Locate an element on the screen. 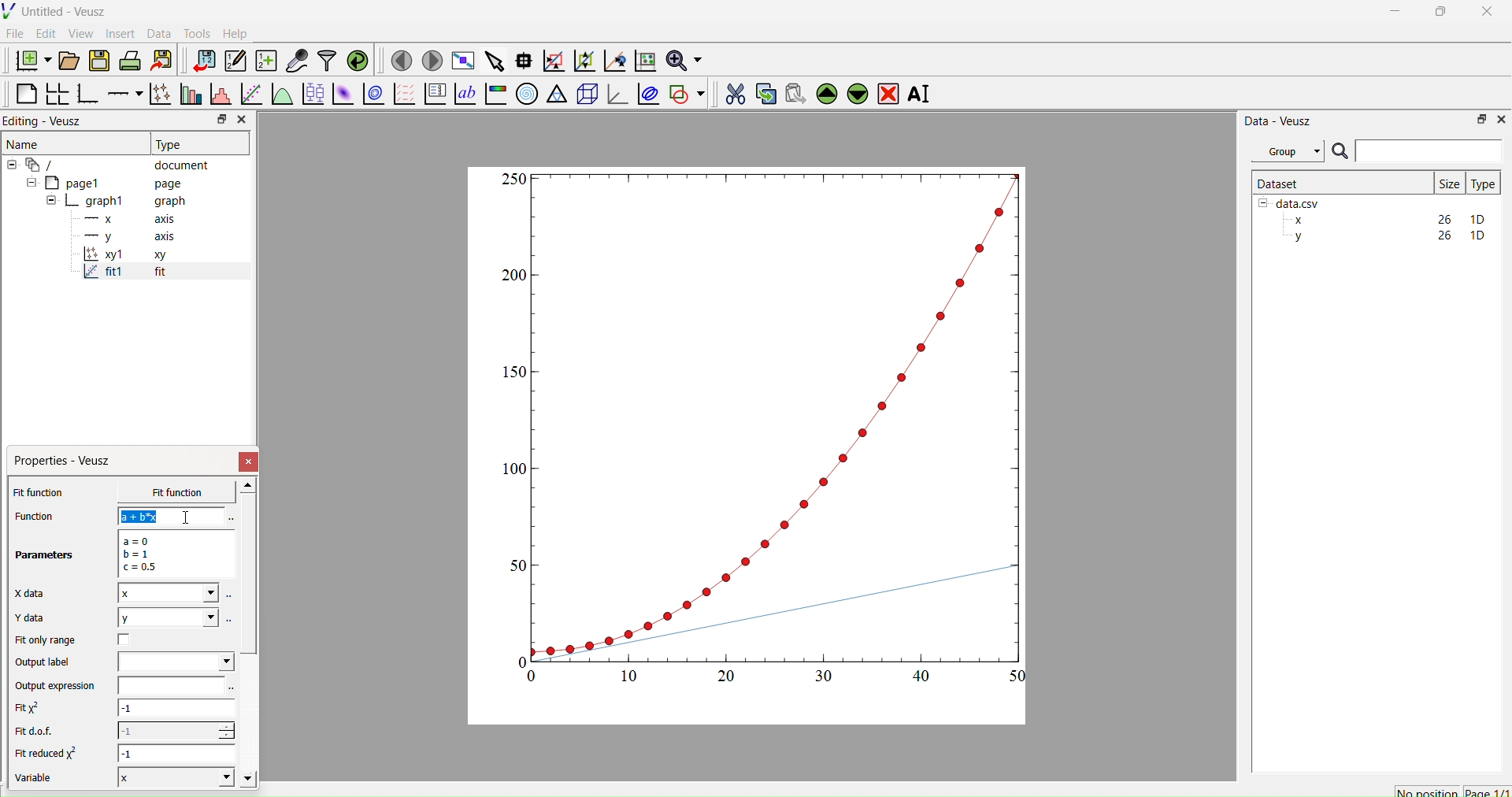  Rename is located at coordinates (922, 94).